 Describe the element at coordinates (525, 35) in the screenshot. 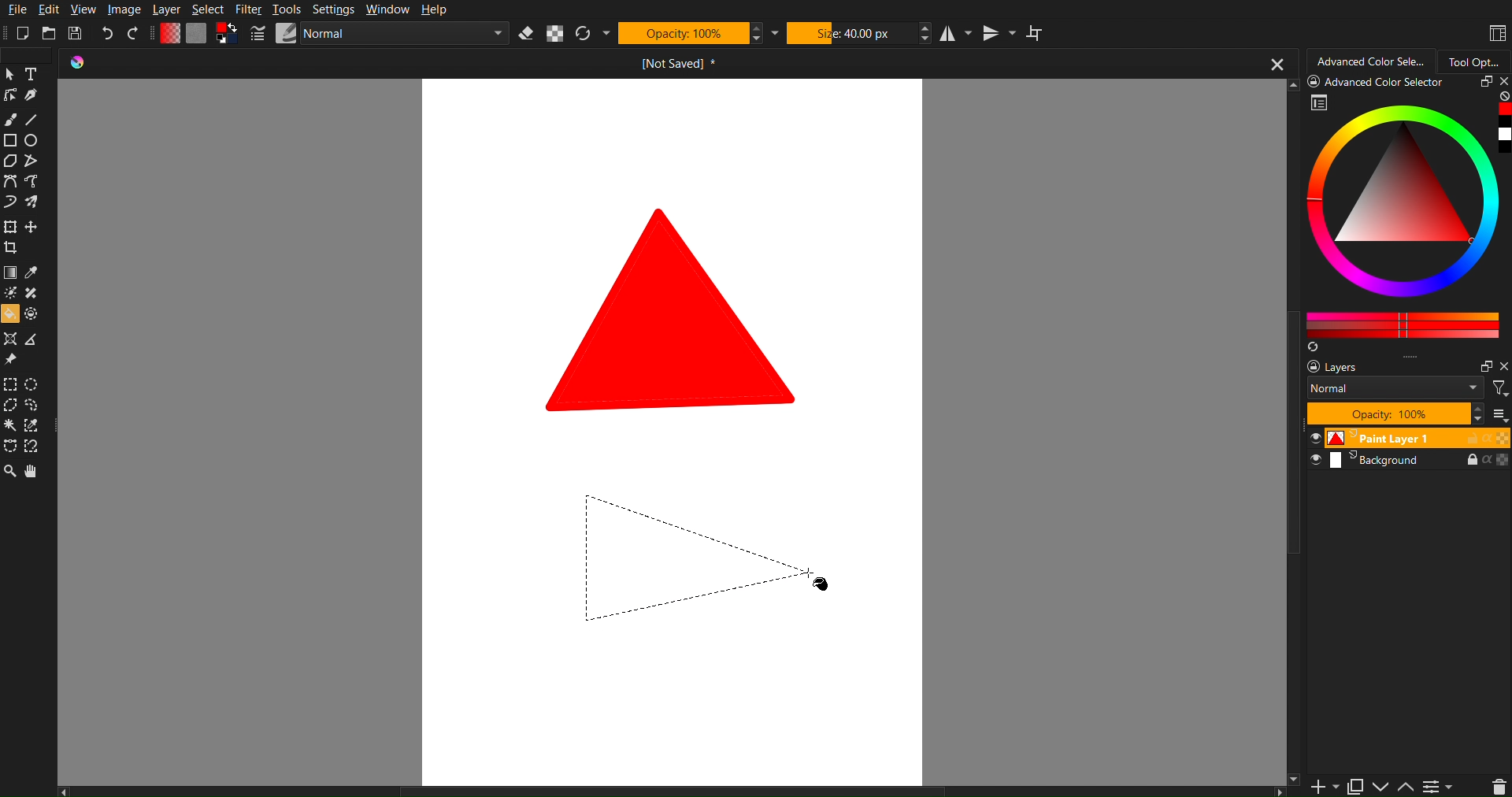

I see `Erase` at that location.